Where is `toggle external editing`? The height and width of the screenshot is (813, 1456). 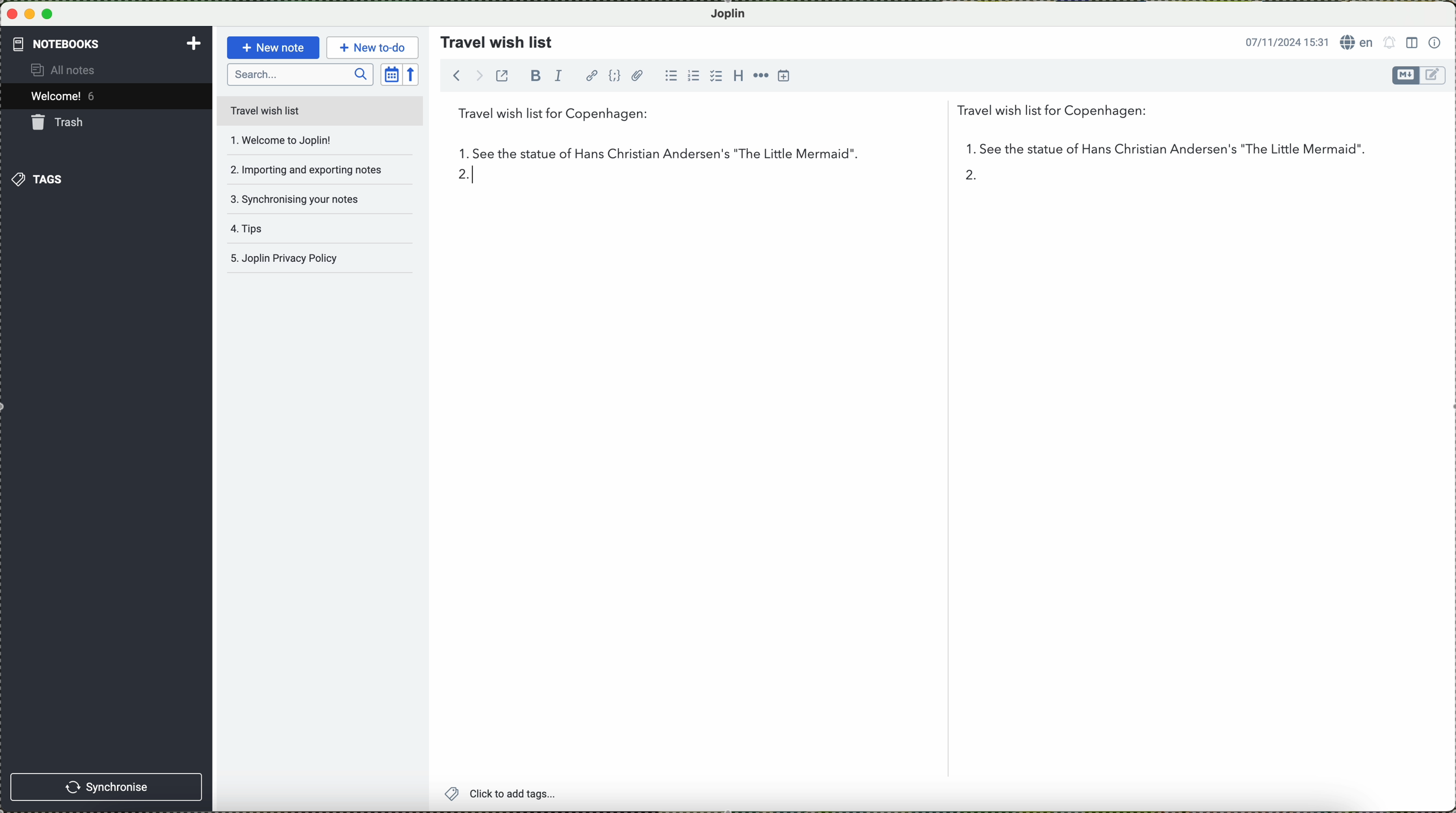 toggle external editing is located at coordinates (505, 80).